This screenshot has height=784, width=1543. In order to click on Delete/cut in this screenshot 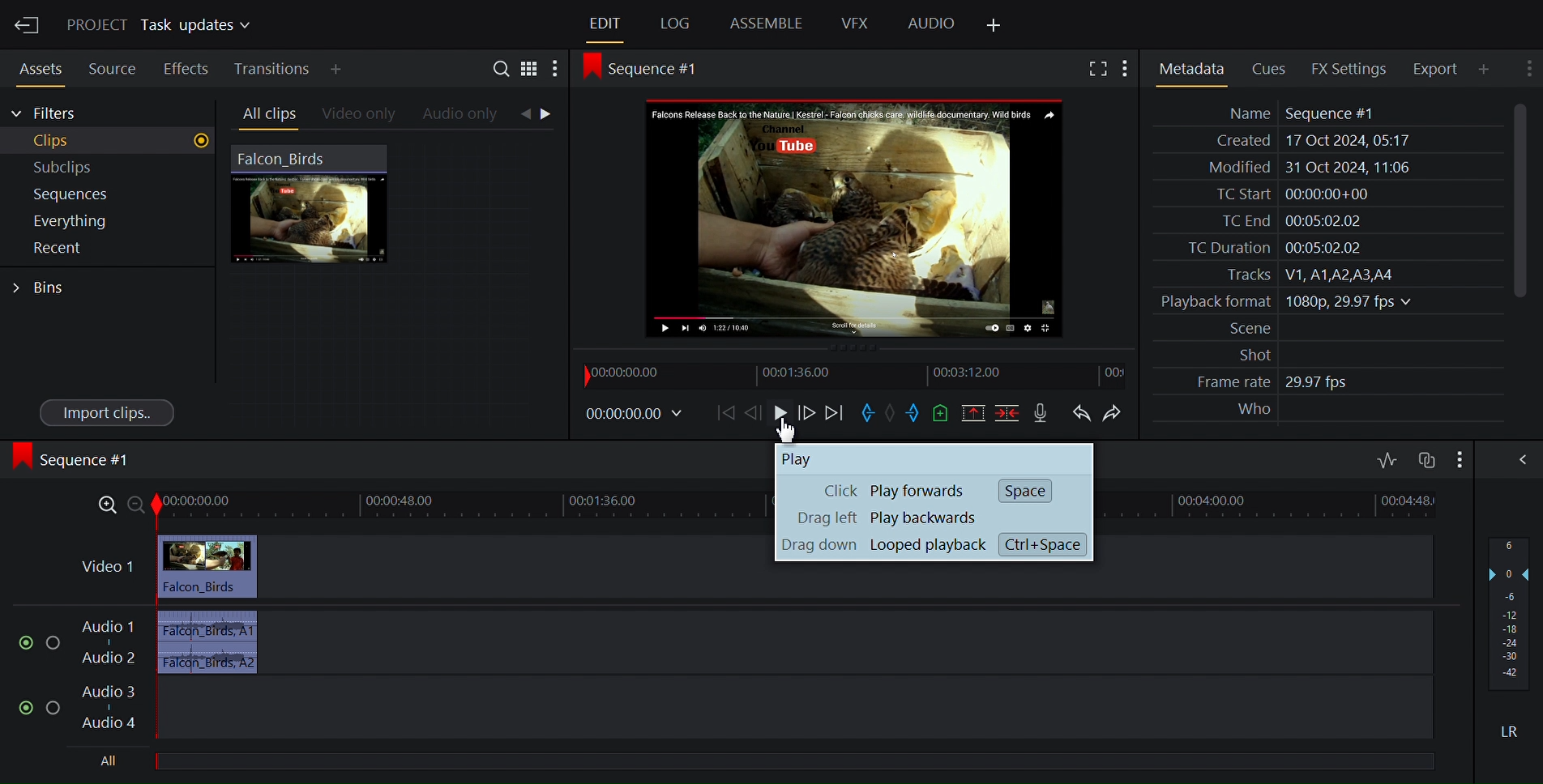, I will do `click(1004, 413)`.